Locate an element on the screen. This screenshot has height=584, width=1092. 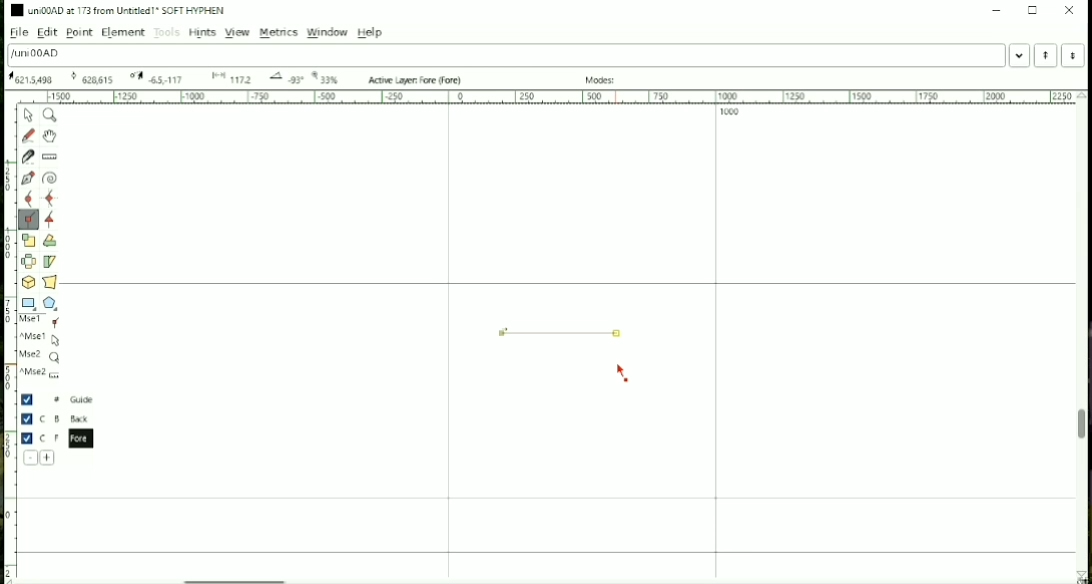
Rotate the selection is located at coordinates (50, 242).